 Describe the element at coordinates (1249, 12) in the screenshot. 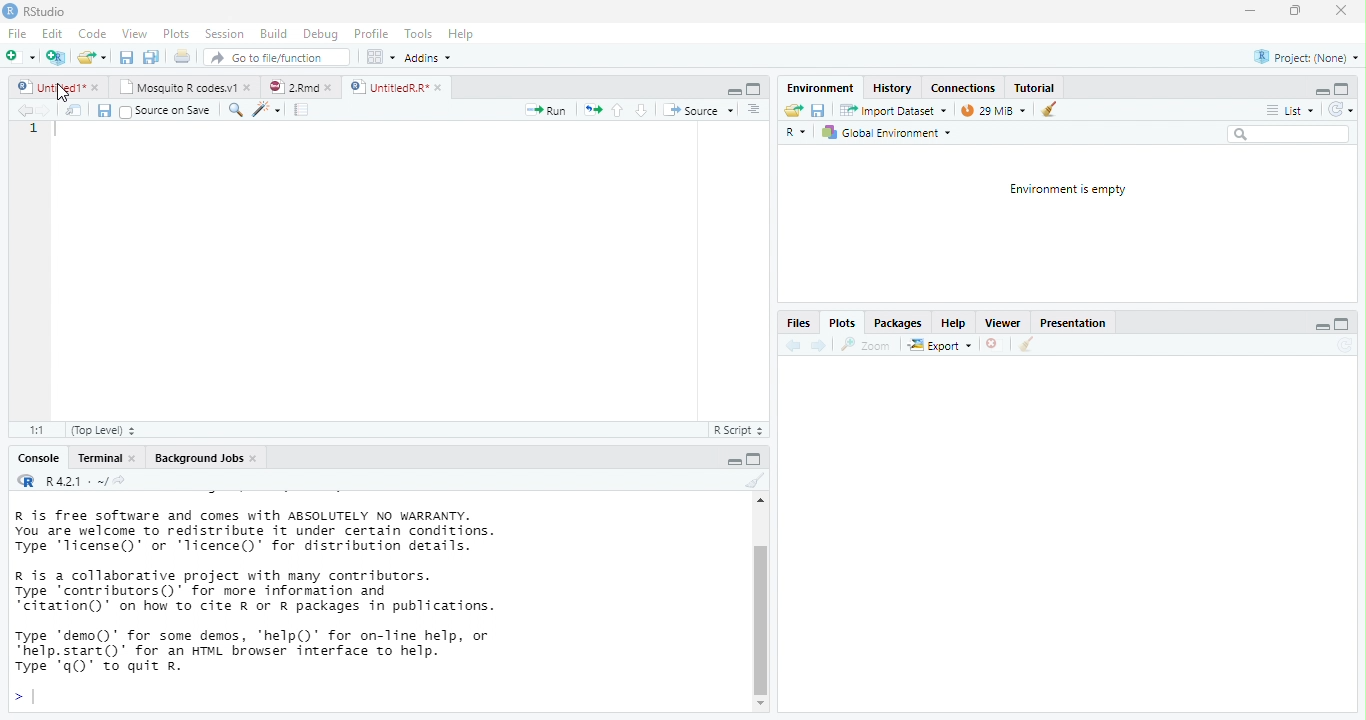

I see `minimize` at that location.